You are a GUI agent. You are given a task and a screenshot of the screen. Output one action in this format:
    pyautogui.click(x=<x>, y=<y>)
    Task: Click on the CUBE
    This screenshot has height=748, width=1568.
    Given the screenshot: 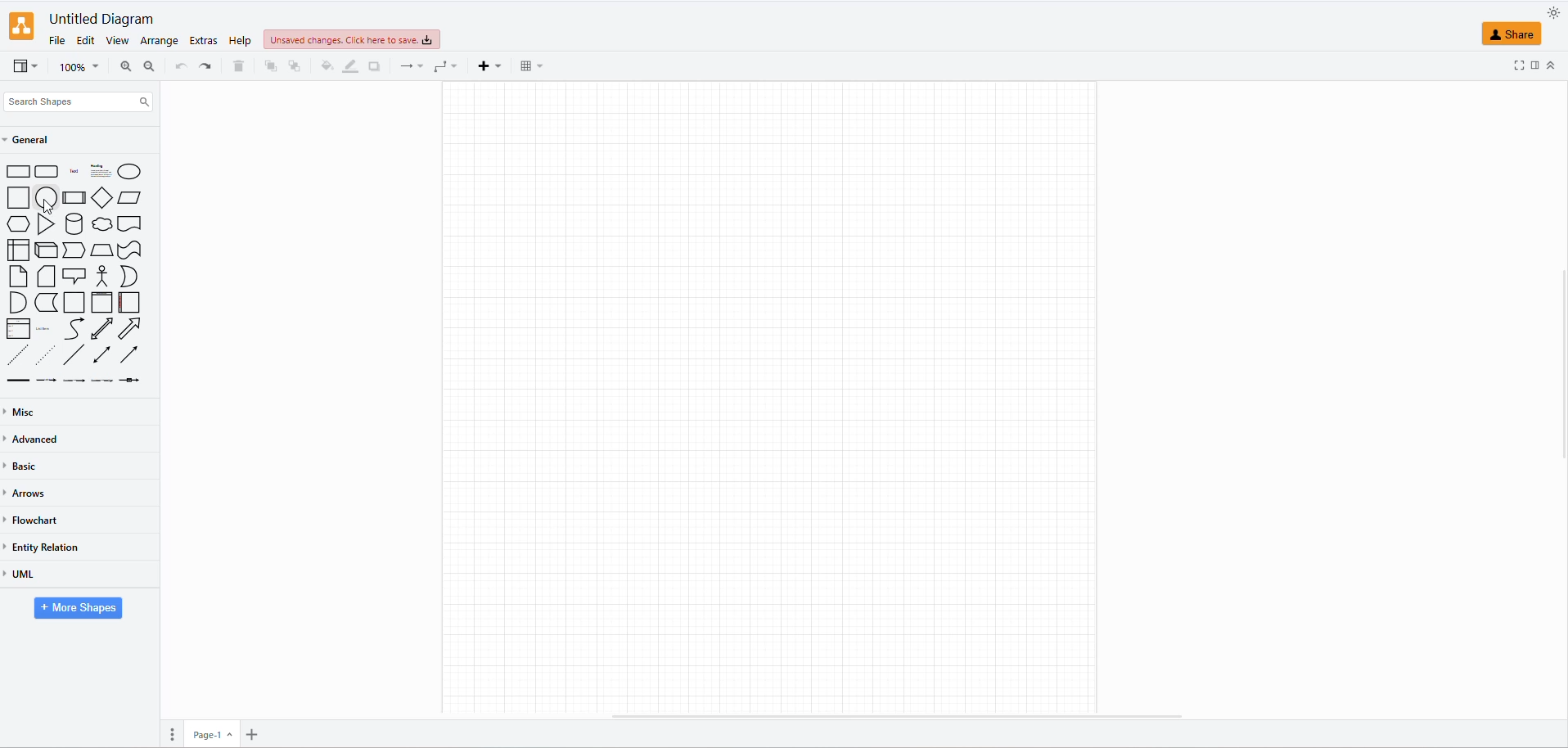 What is the action you would take?
    pyautogui.click(x=44, y=247)
    